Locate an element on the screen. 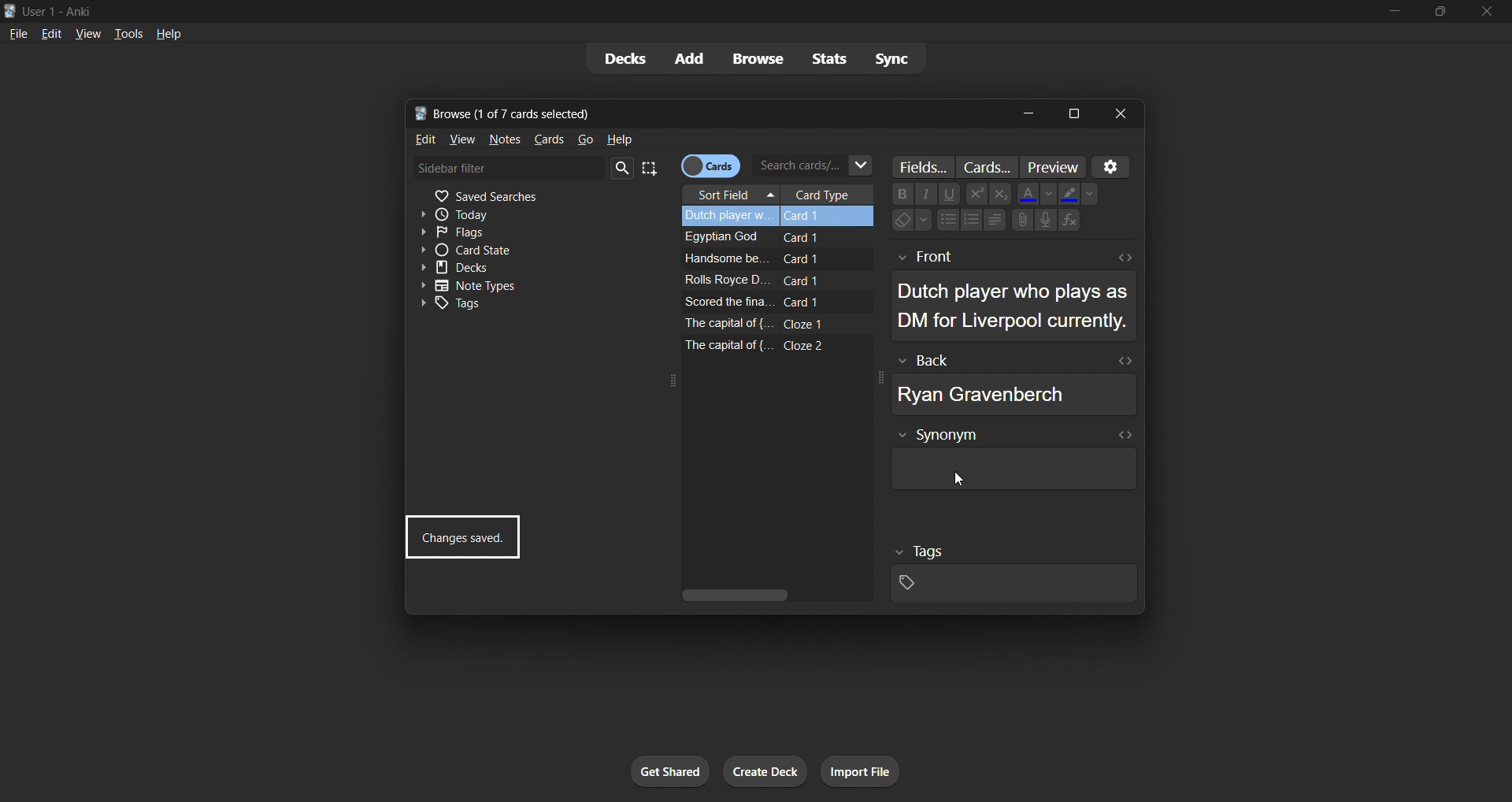 Image resolution: width=1512 pixels, height=802 pixels. vertical scroll bar is located at coordinates (772, 594).